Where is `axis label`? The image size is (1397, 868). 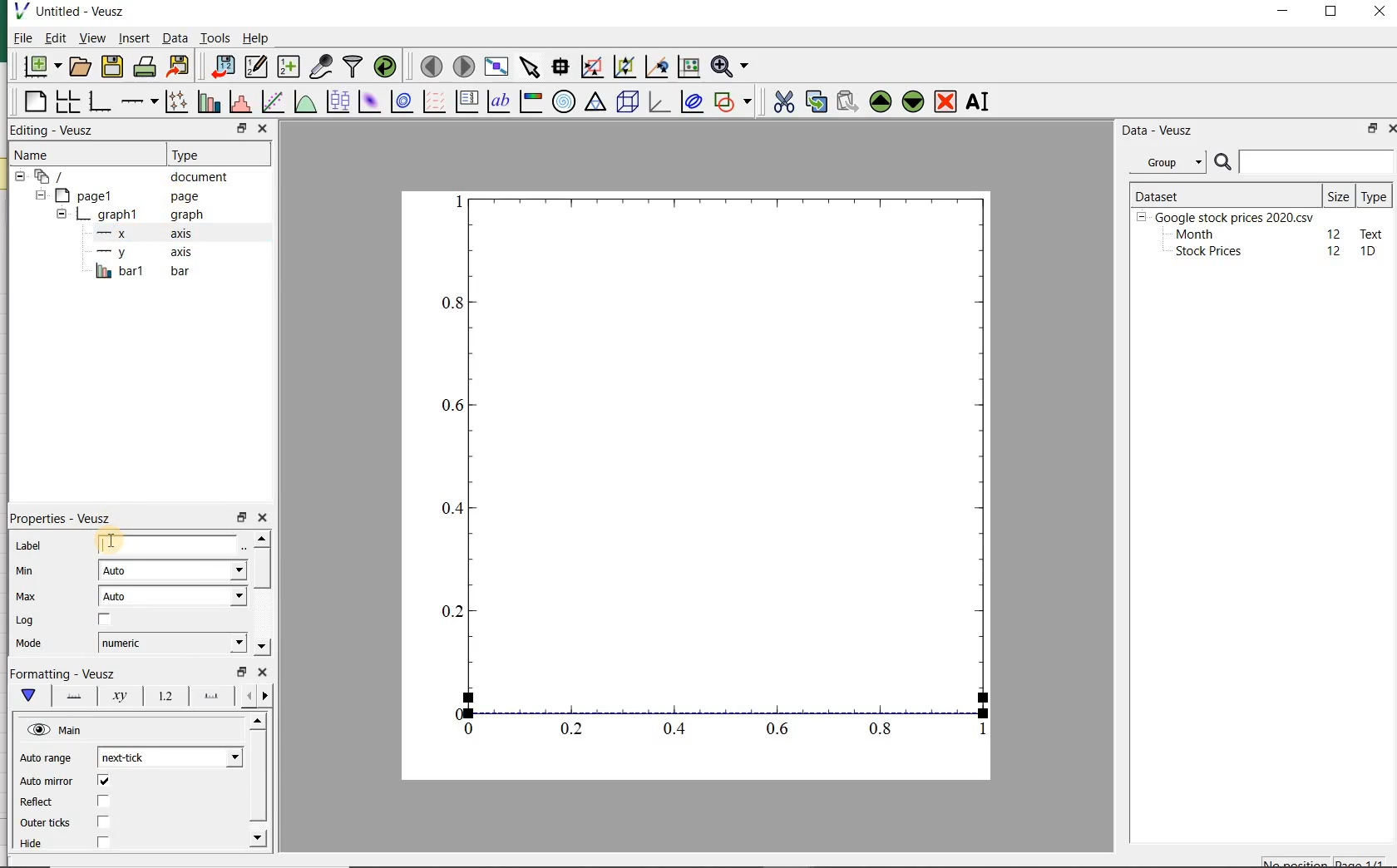
axis label is located at coordinates (117, 695).